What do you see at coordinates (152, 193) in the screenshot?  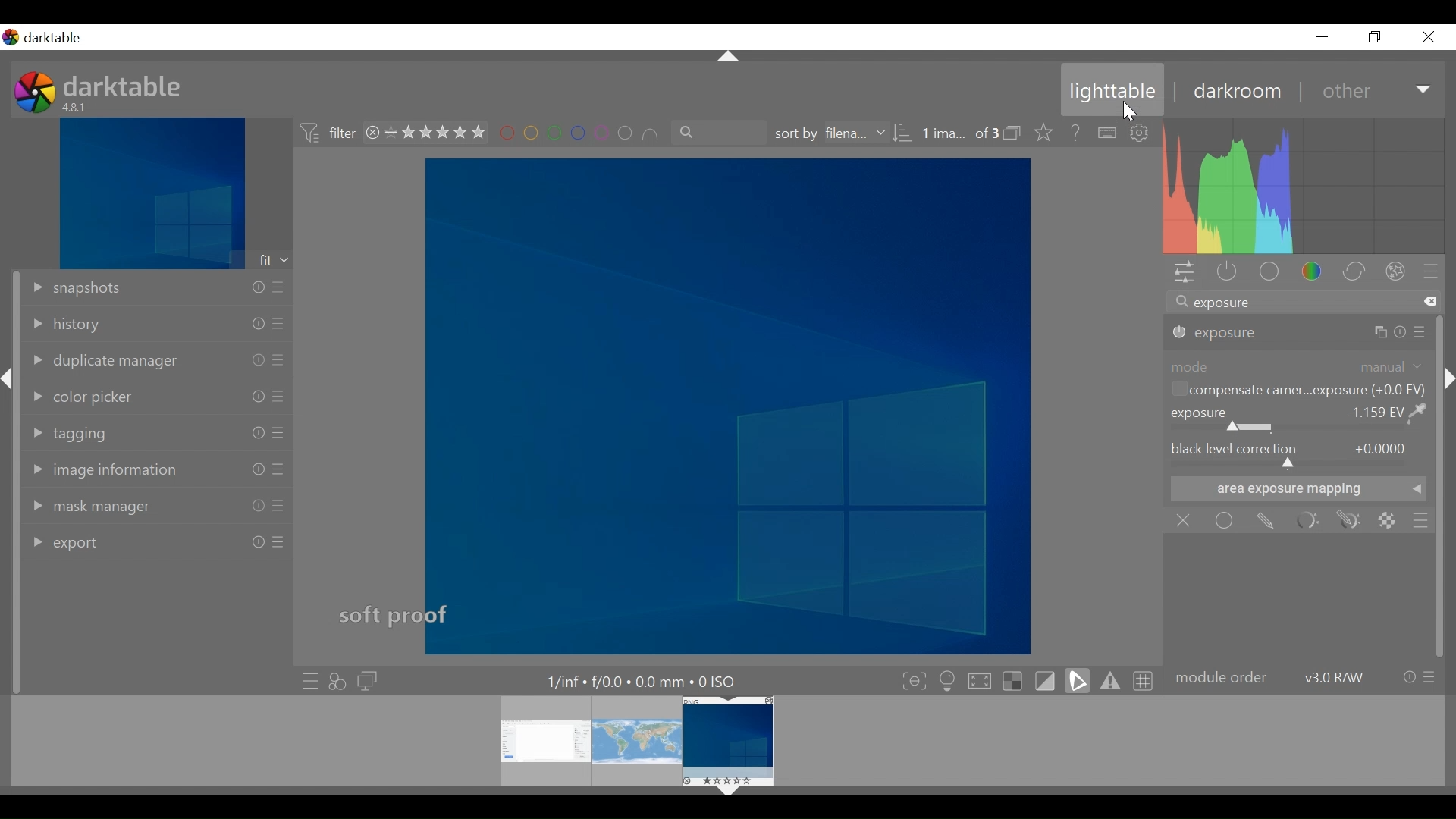 I see `image preview` at bounding box center [152, 193].